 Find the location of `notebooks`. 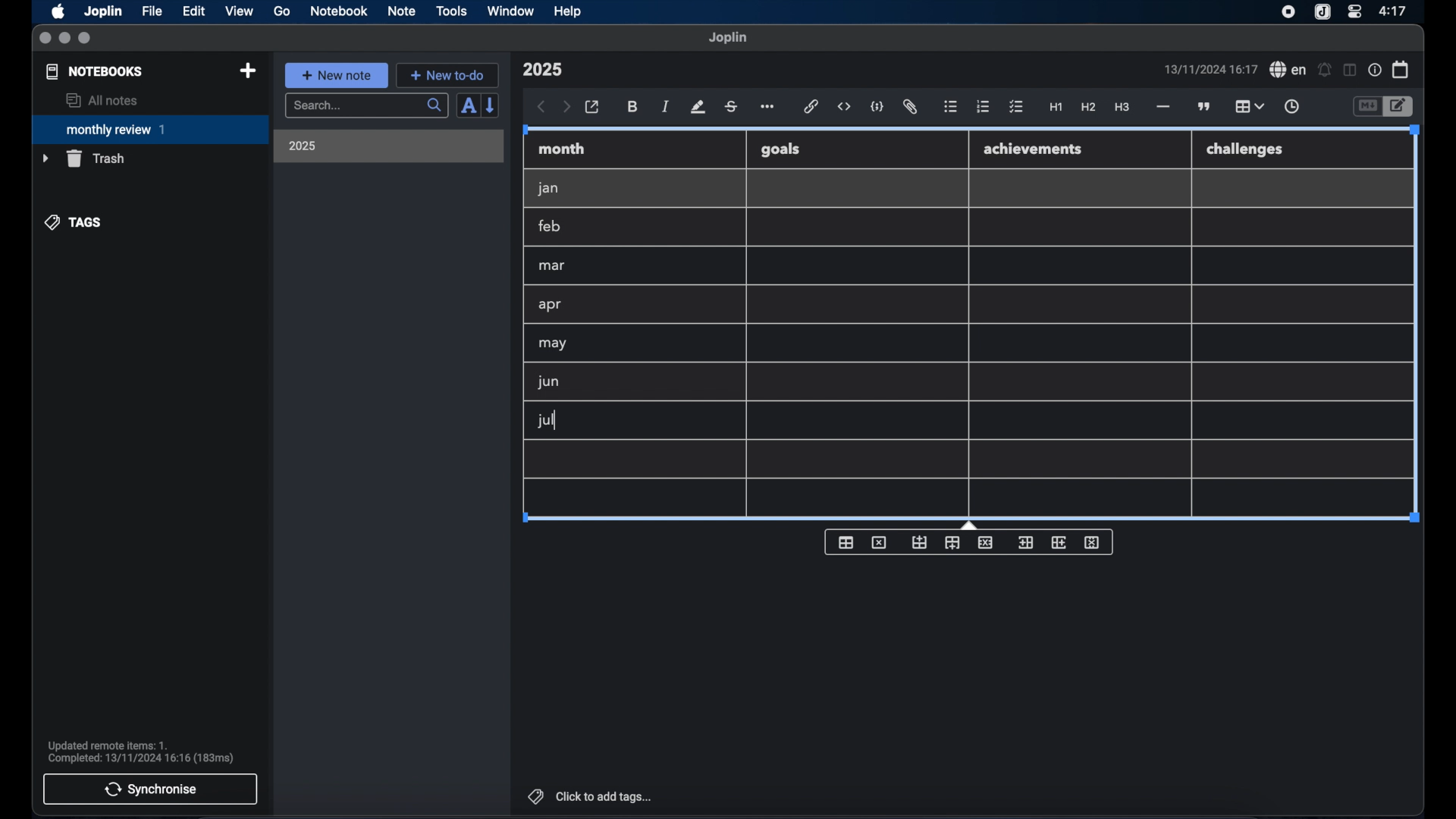

notebooks is located at coordinates (95, 71).